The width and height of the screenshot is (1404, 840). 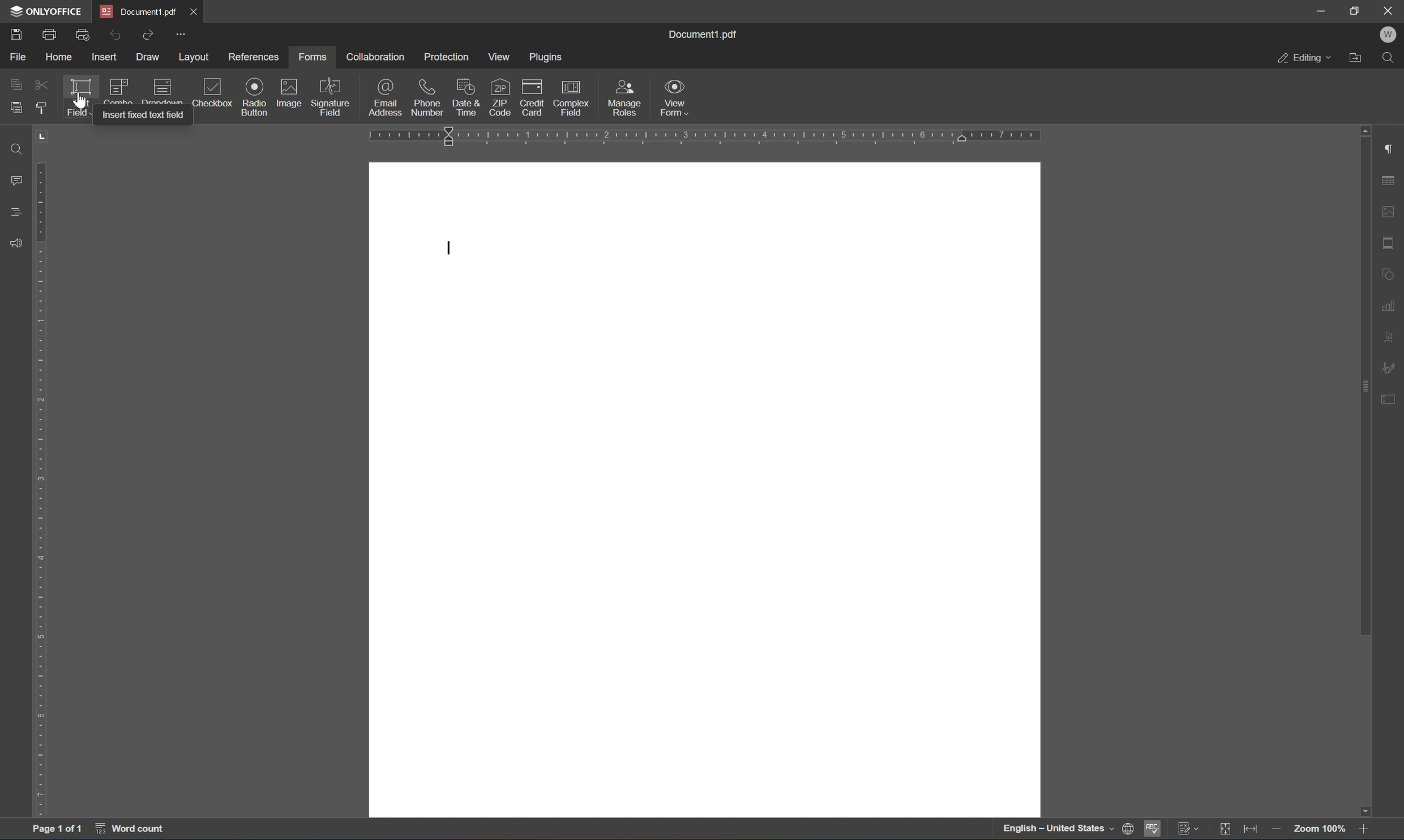 I want to click on copy style, so click(x=41, y=108).